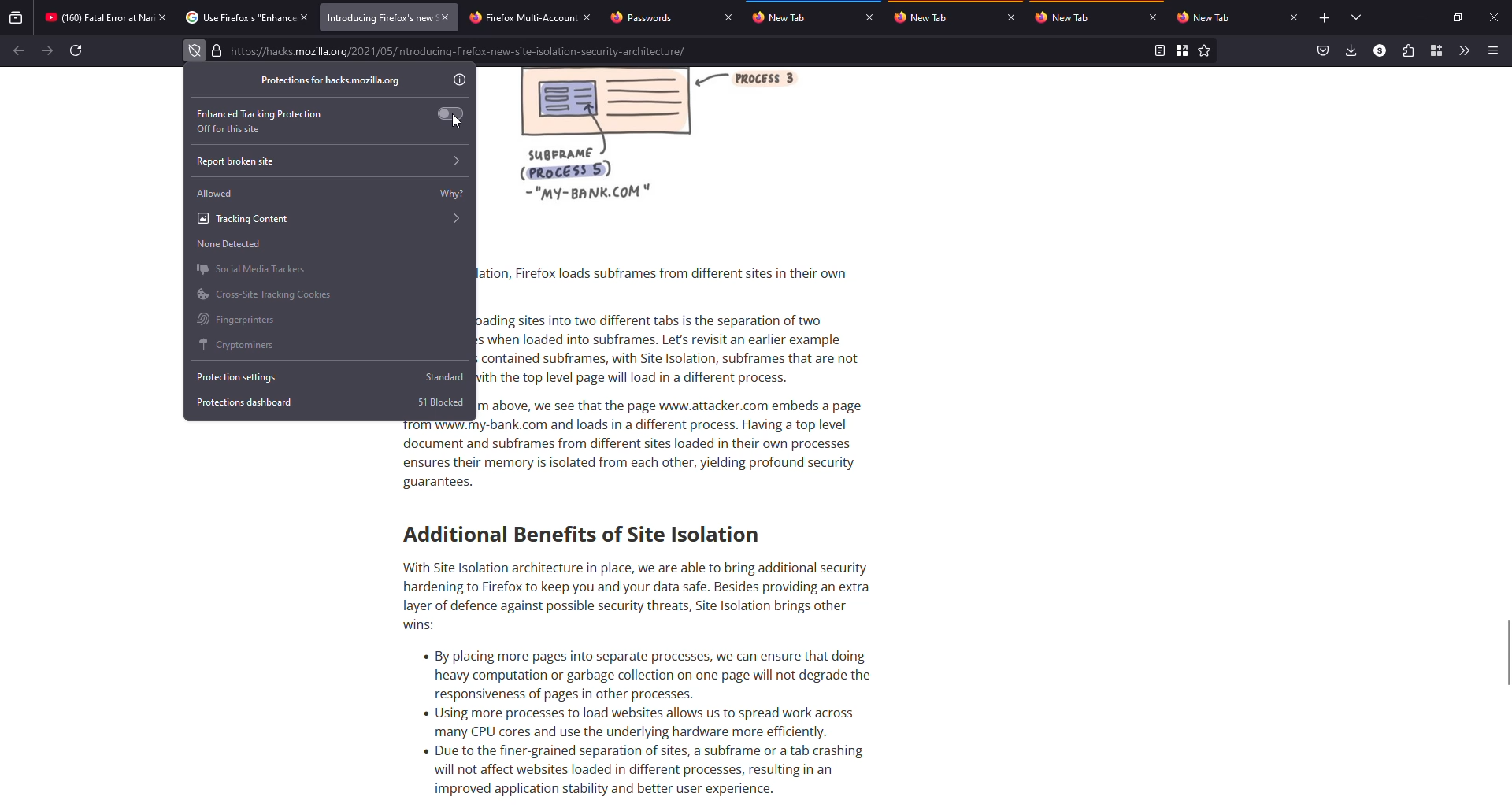  What do you see at coordinates (869, 17) in the screenshot?
I see `close` at bounding box center [869, 17].